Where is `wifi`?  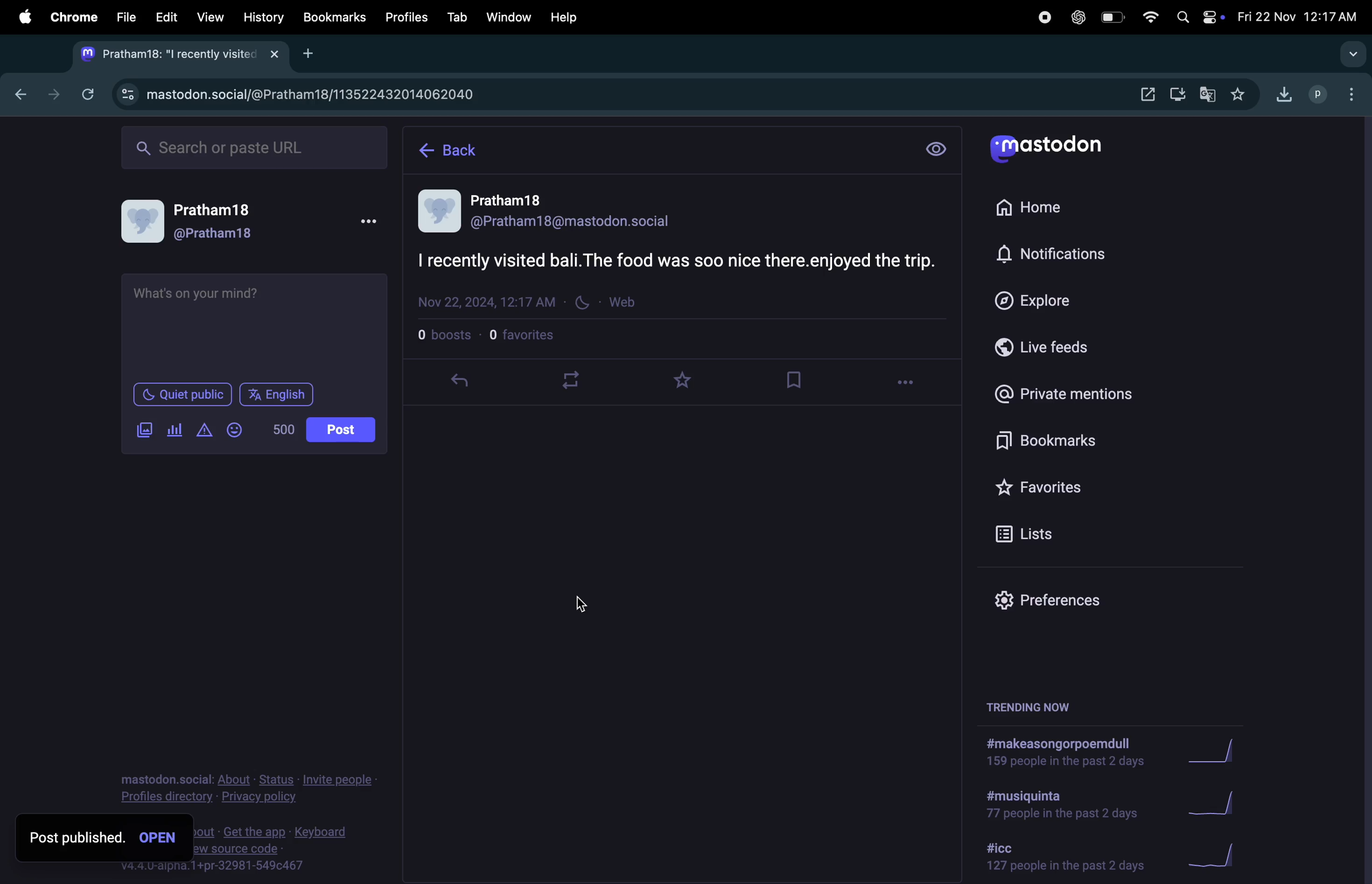
wifi is located at coordinates (1149, 20).